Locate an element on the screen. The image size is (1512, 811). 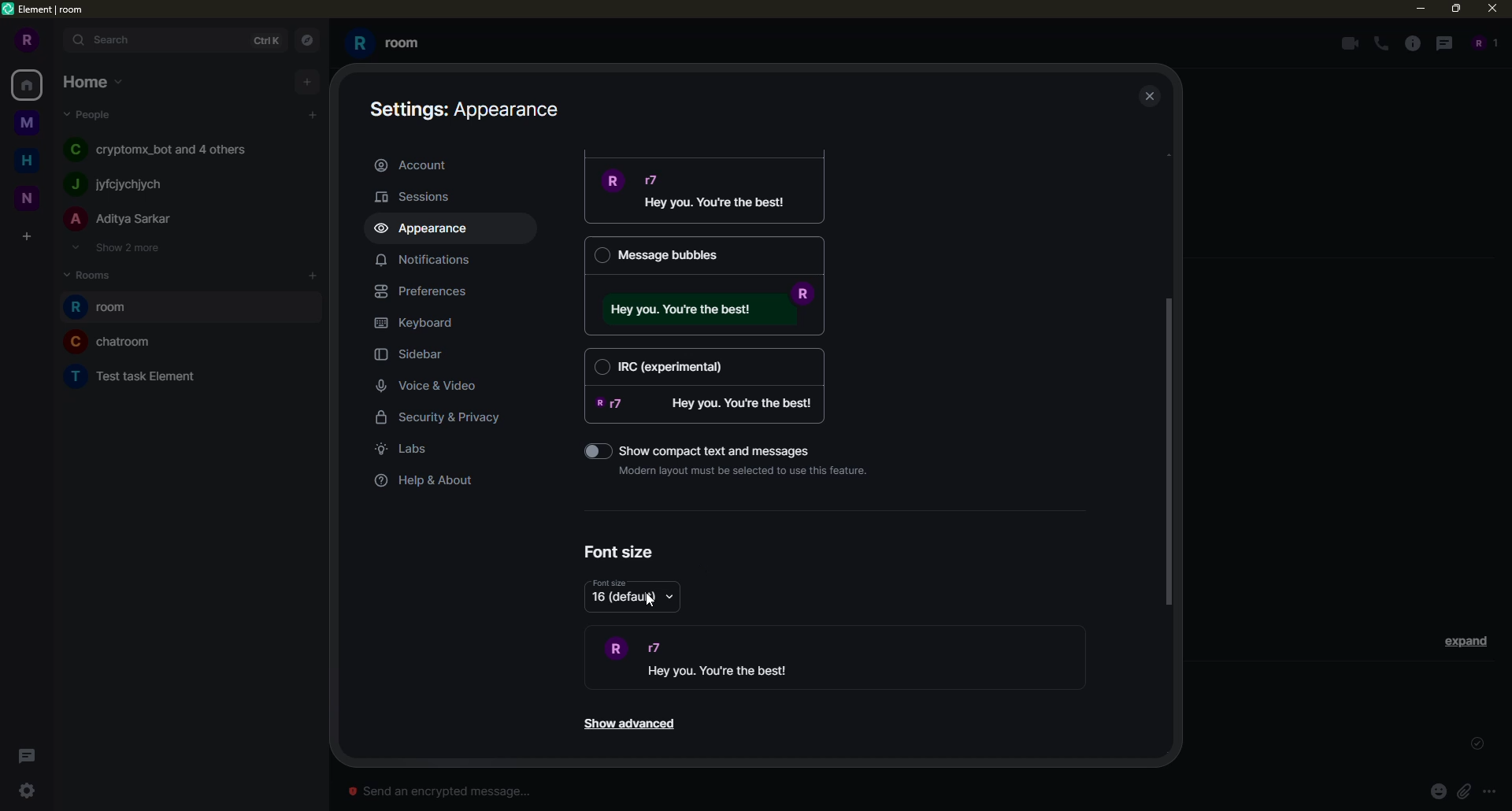
create space is located at coordinates (26, 238).